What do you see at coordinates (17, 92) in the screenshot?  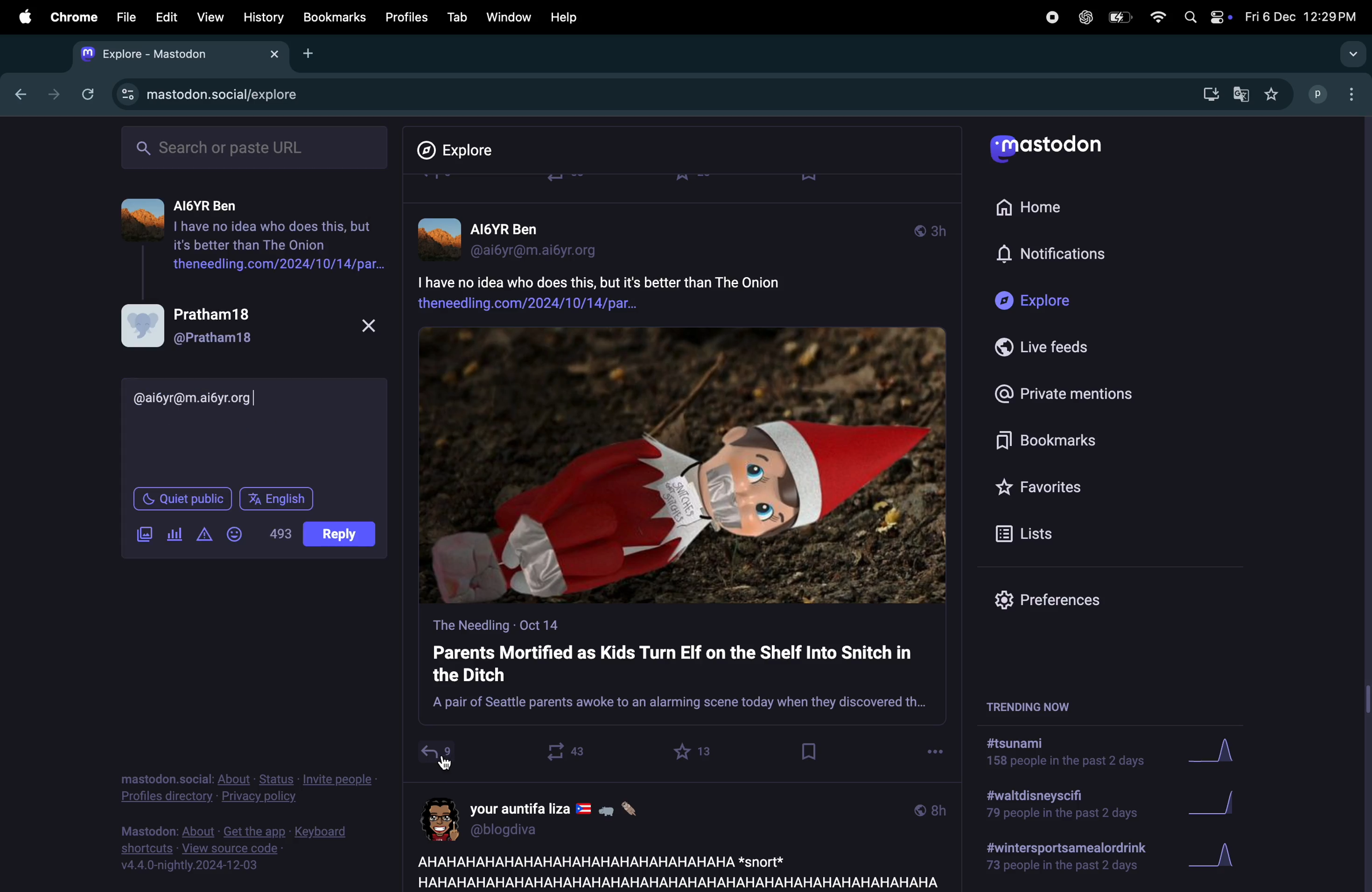 I see `back ward` at bounding box center [17, 92].